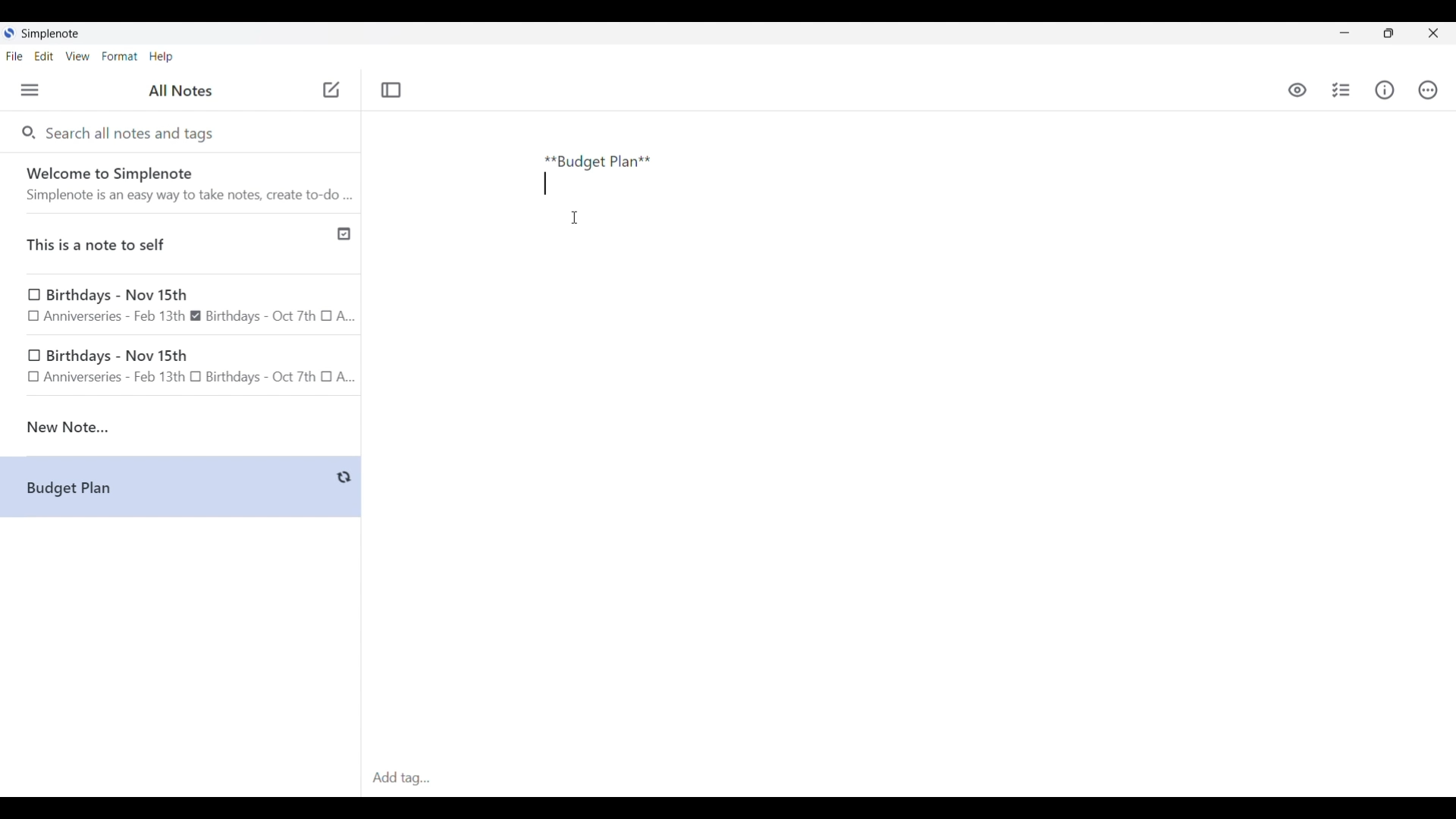  Describe the element at coordinates (180, 91) in the screenshot. I see `Title of left side panel` at that location.